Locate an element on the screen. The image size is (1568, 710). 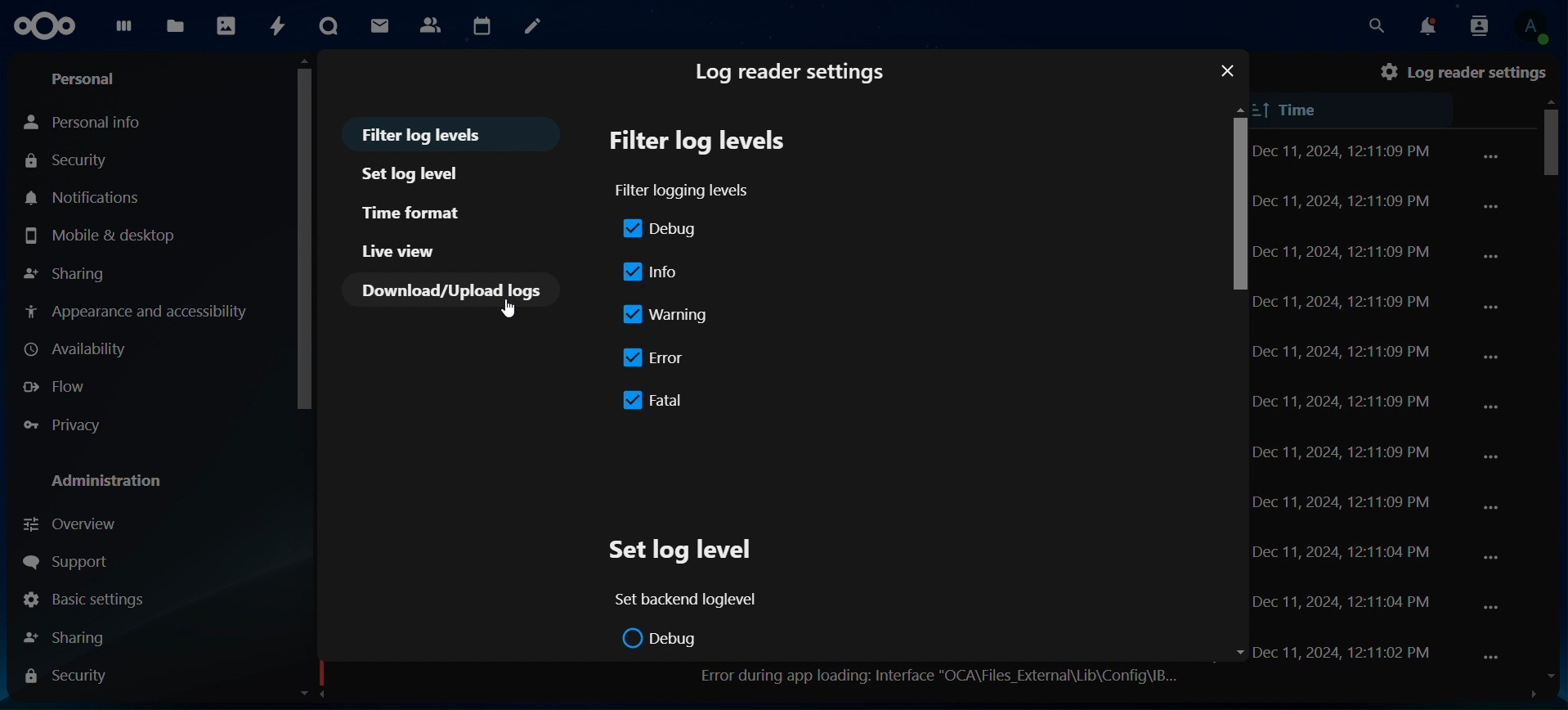
sharing is located at coordinates (68, 270).